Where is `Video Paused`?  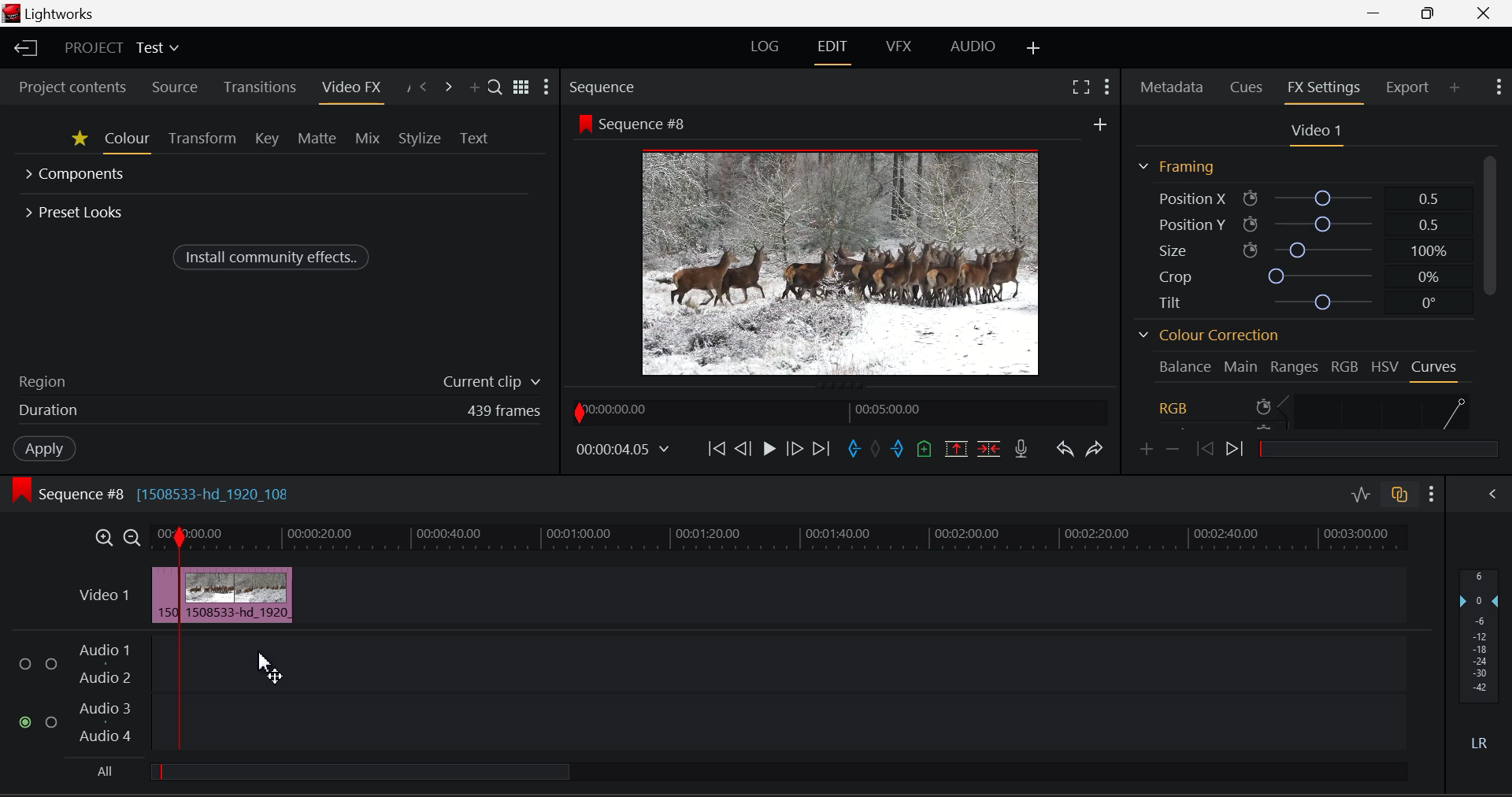
Video Paused is located at coordinates (766, 449).